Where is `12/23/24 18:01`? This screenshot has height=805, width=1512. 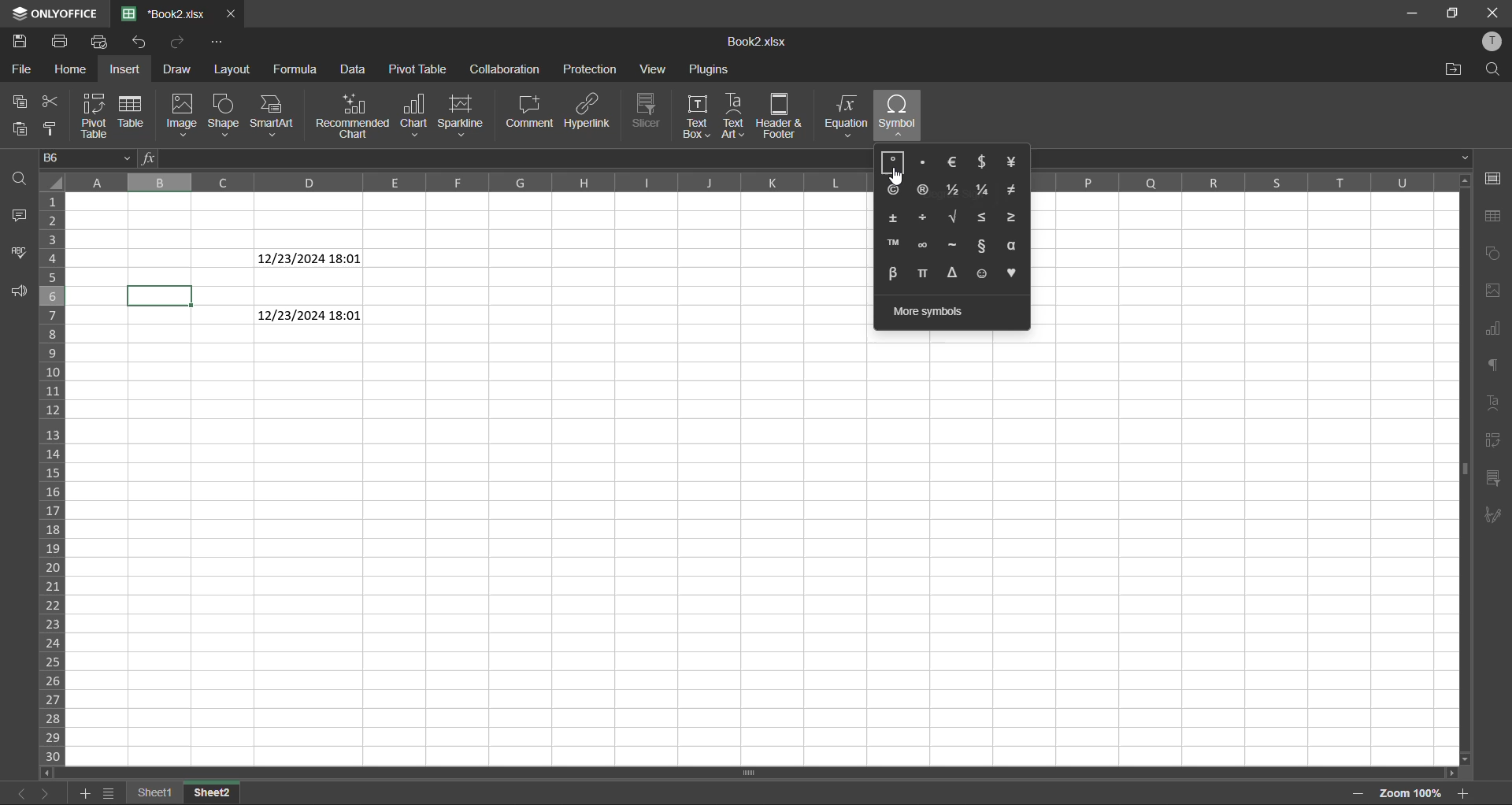 12/23/24 18:01 is located at coordinates (310, 258).